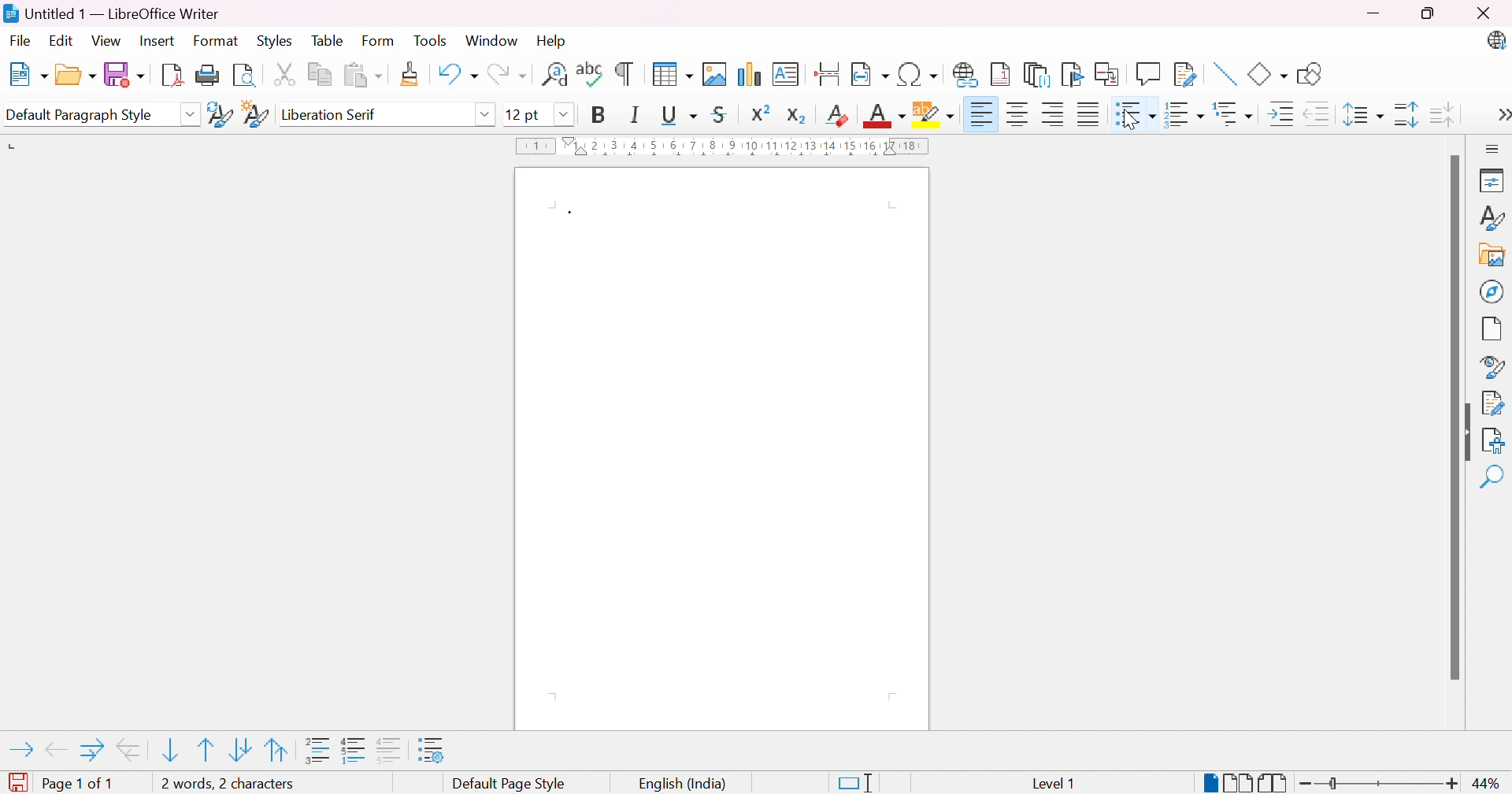  What do you see at coordinates (1451, 785) in the screenshot?
I see `Zoom in` at bounding box center [1451, 785].